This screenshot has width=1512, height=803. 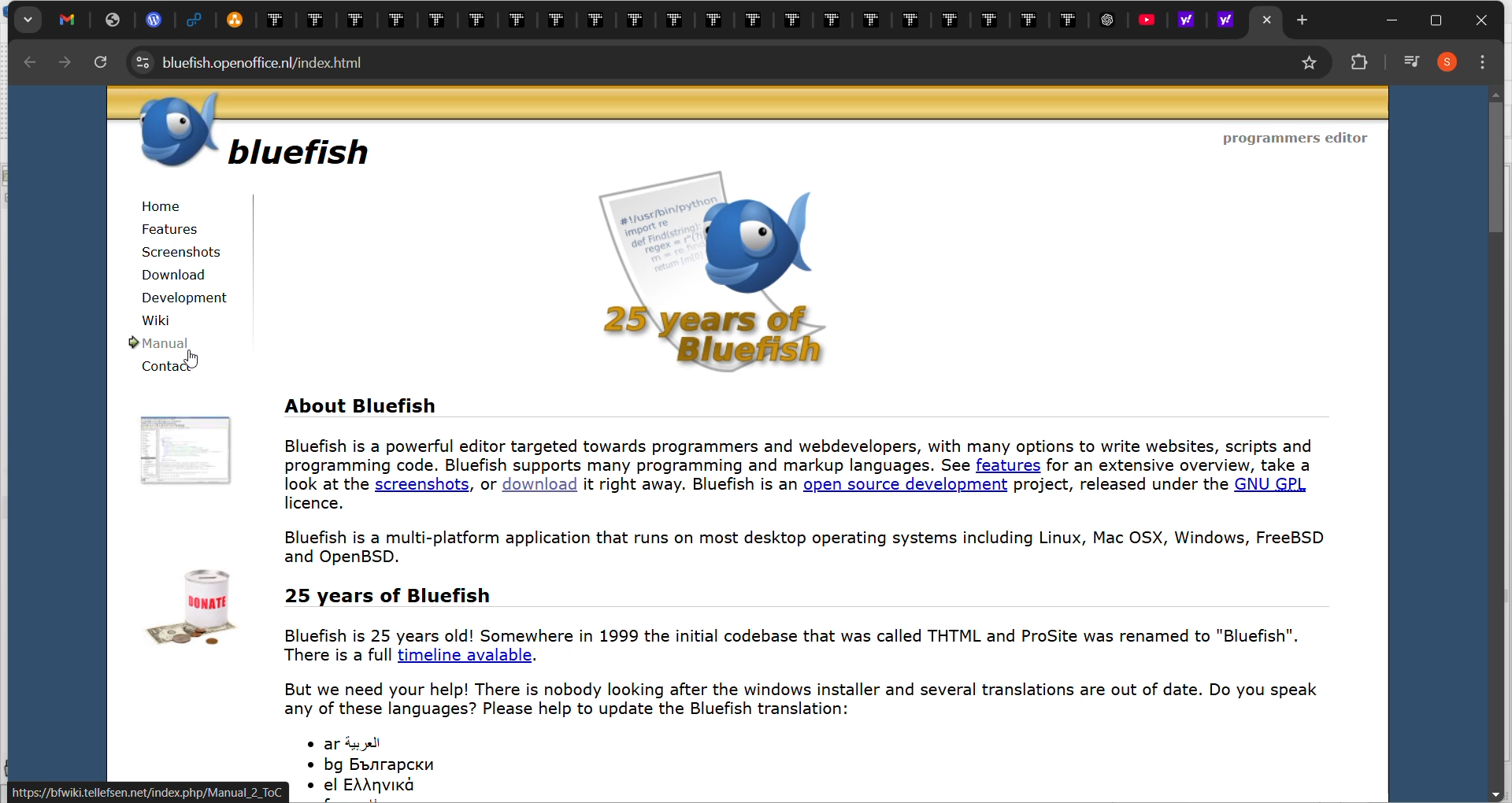 I want to click on bluefish, so click(x=298, y=152).